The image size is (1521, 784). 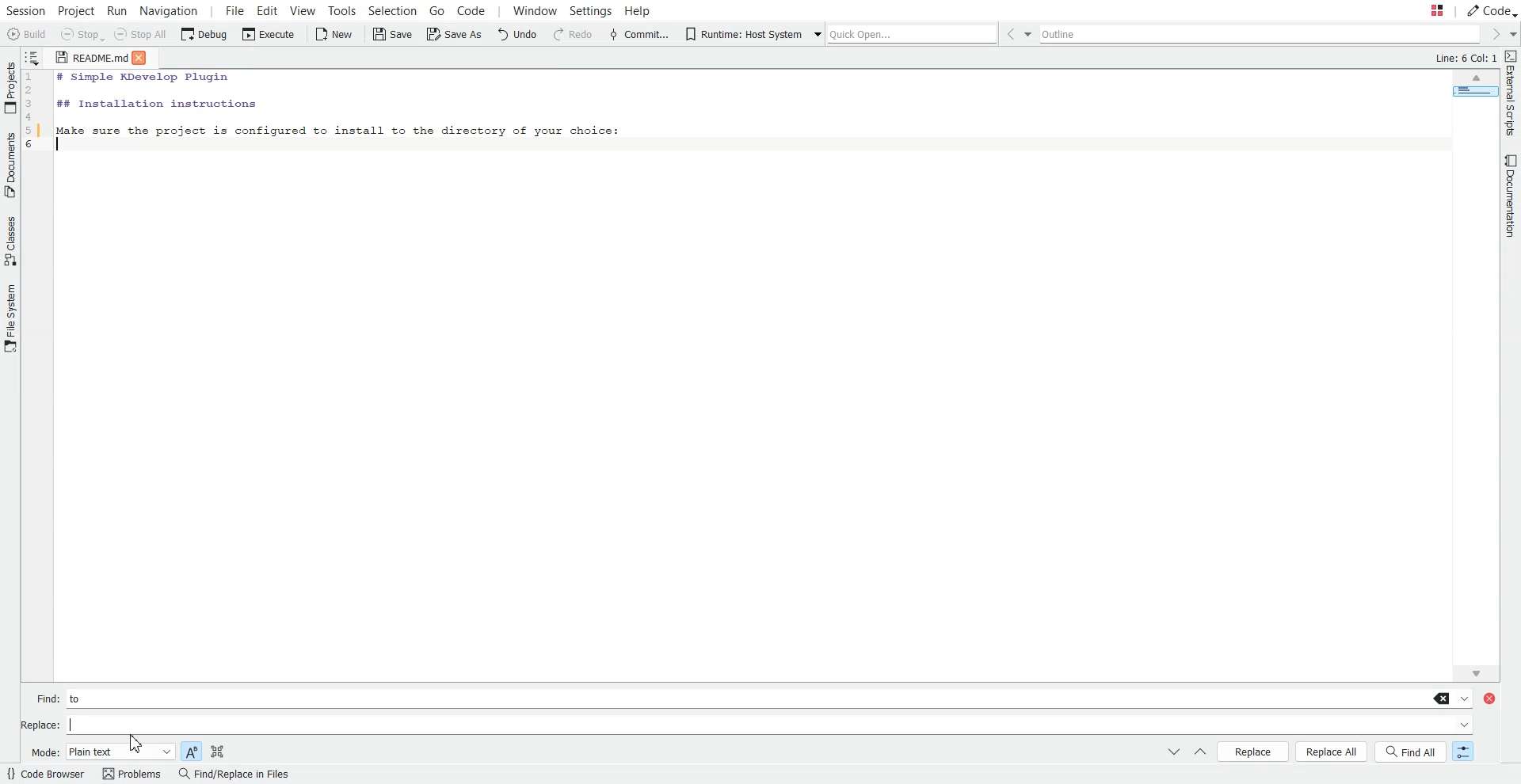 What do you see at coordinates (101, 752) in the screenshot?
I see `Mode: Plain text` at bounding box center [101, 752].